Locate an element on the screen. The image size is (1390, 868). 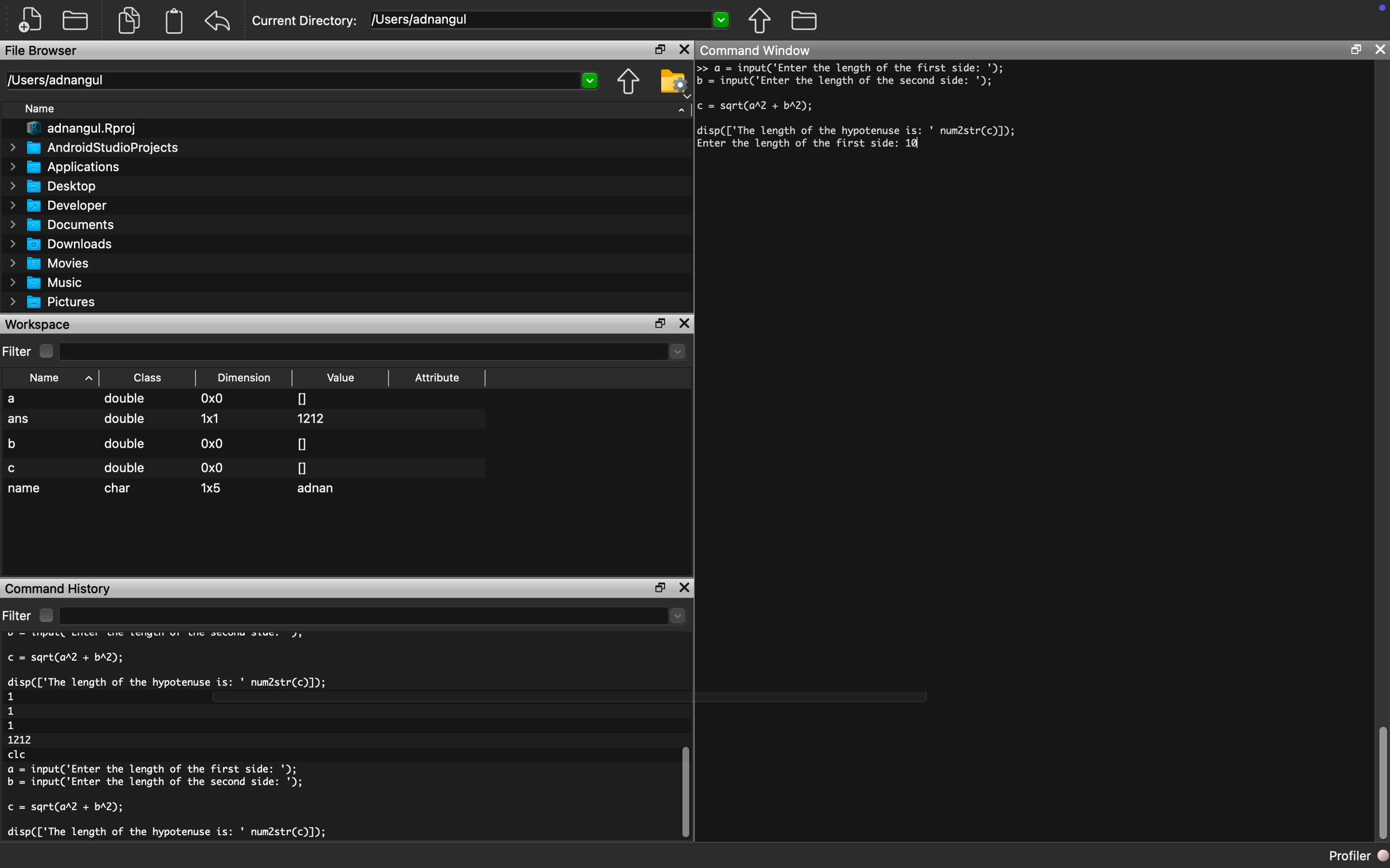
c = sqrt(arl + bA2);

disp(['The length of the hypotenuse is: ' num2str(c)]);
clc

a = input('Enter the length of the first side: ');

b = input('Enter the length of the second side: ');

c = sqrt(ar2 + bA2);

disp(['The length of the hypotenuse is: ' num2str(c)]);
1

1

1

1212

clc is located at coordinates (192, 739).